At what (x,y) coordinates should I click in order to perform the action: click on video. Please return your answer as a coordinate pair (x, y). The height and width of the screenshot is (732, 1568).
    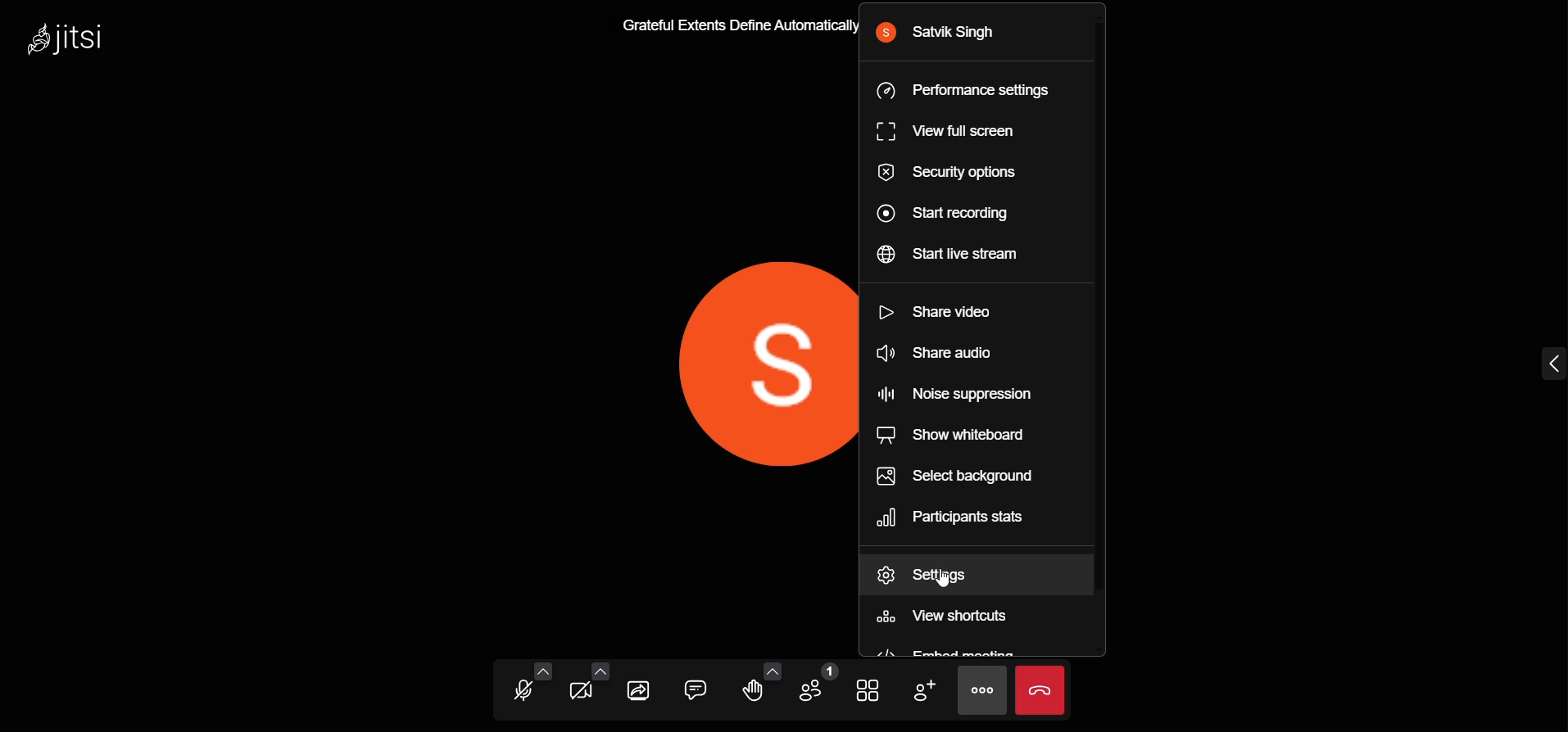
    Looking at the image, I should click on (581, 692).